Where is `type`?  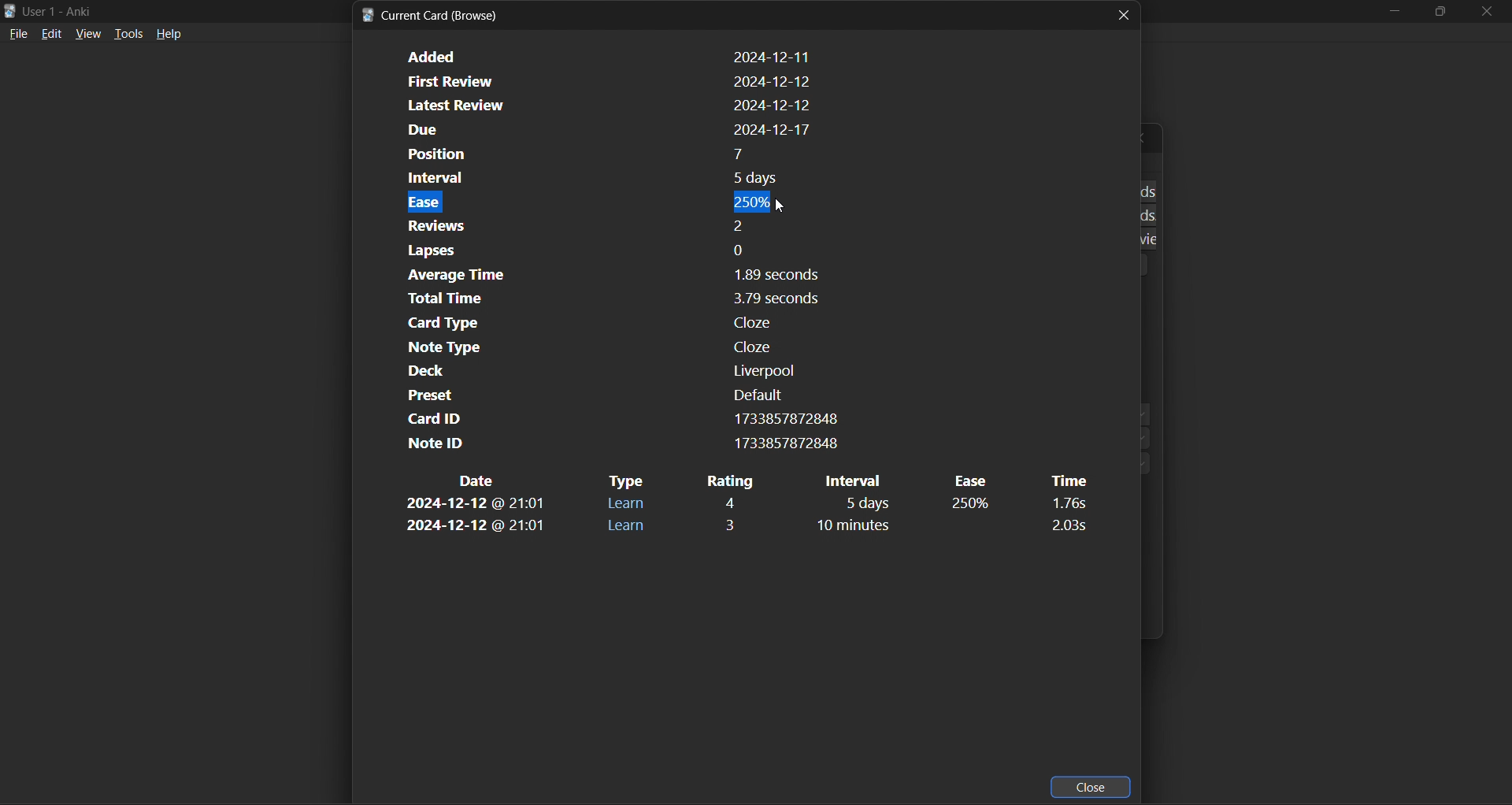 type is located at coordinates (627, 526).